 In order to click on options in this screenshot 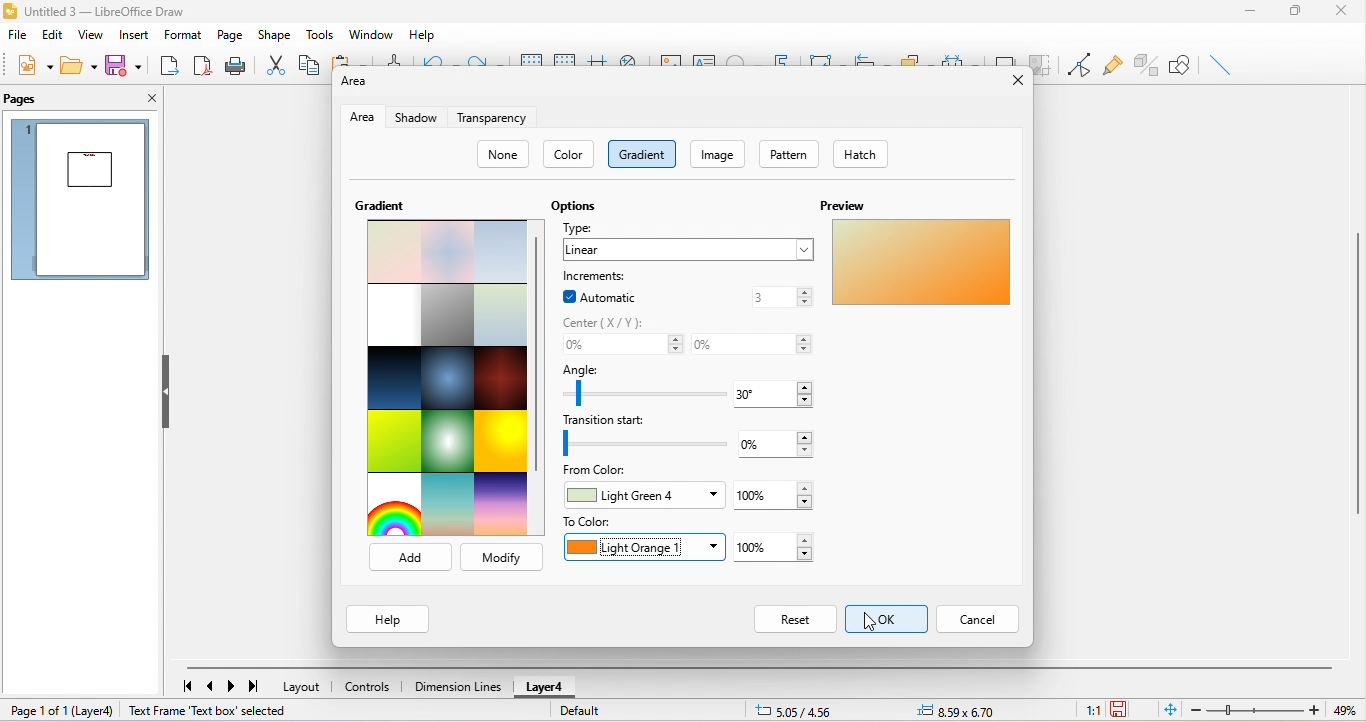, I will do `click(573, 206)`.